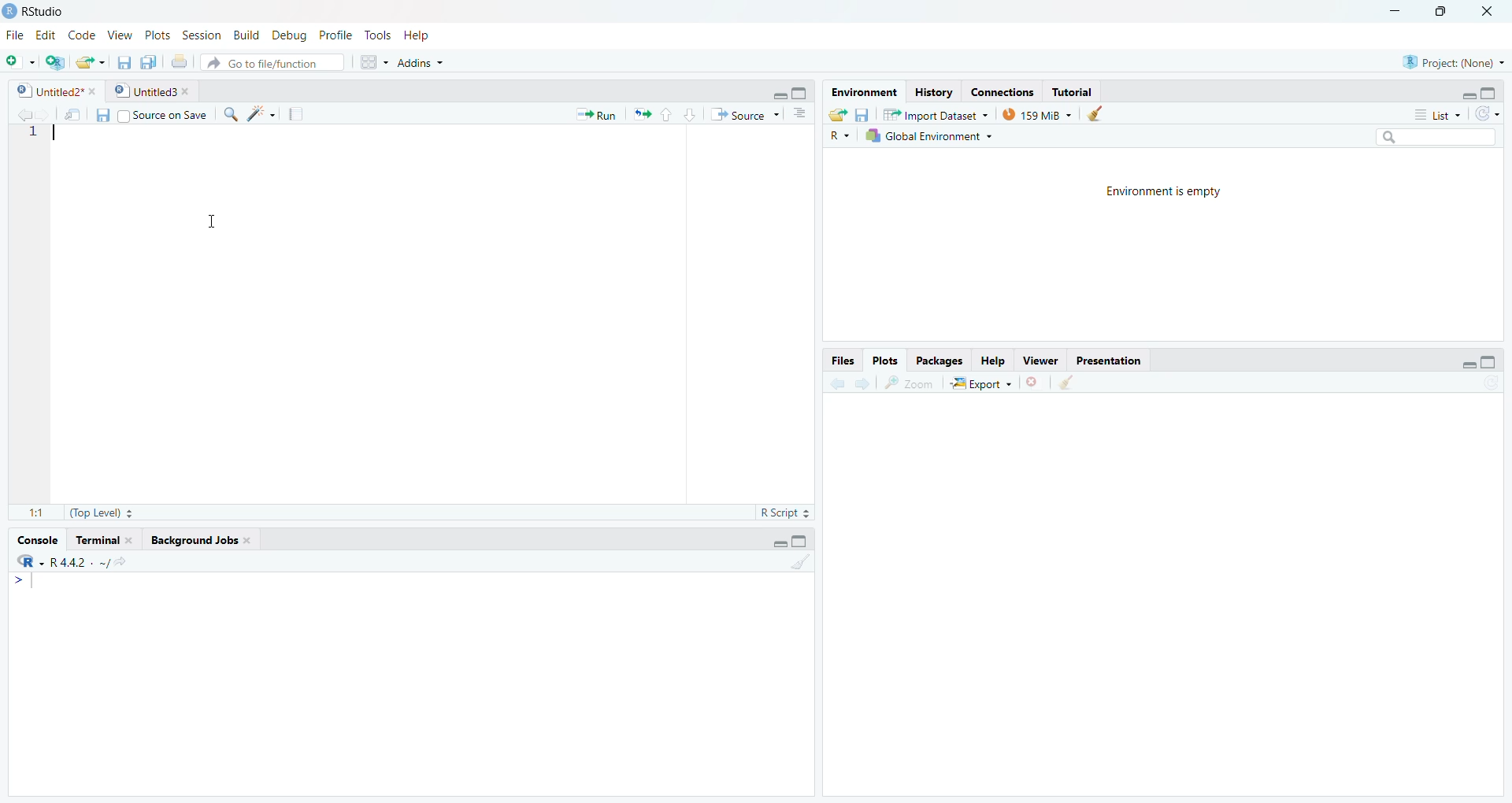  What do you see at coordinates (246, 37) in the screenshot?
I see `Build` at bounding box center [246, 37].